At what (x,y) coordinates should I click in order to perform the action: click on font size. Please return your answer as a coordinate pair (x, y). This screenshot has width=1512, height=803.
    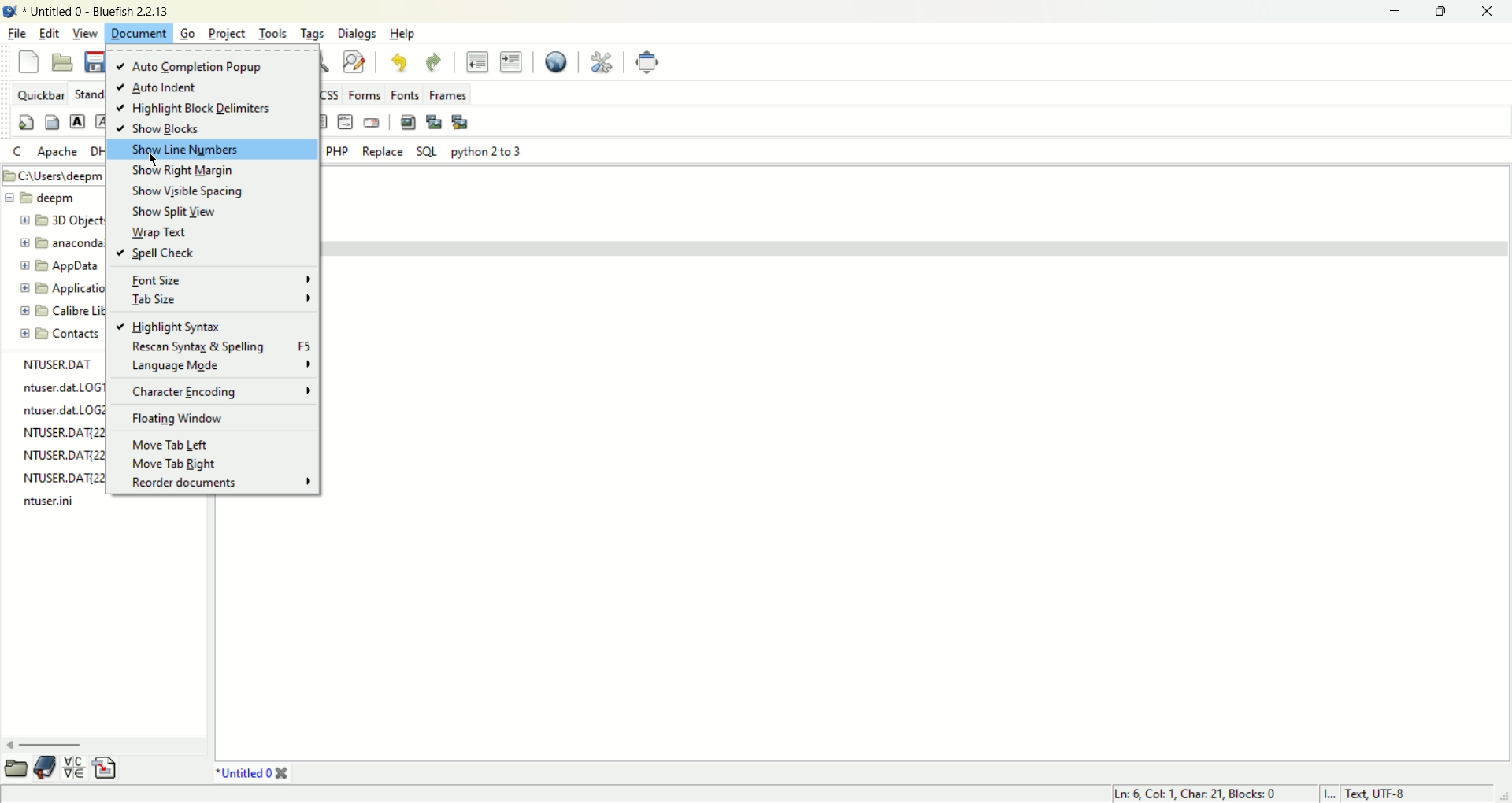
    Looking at the image, I should click on (219, 279).